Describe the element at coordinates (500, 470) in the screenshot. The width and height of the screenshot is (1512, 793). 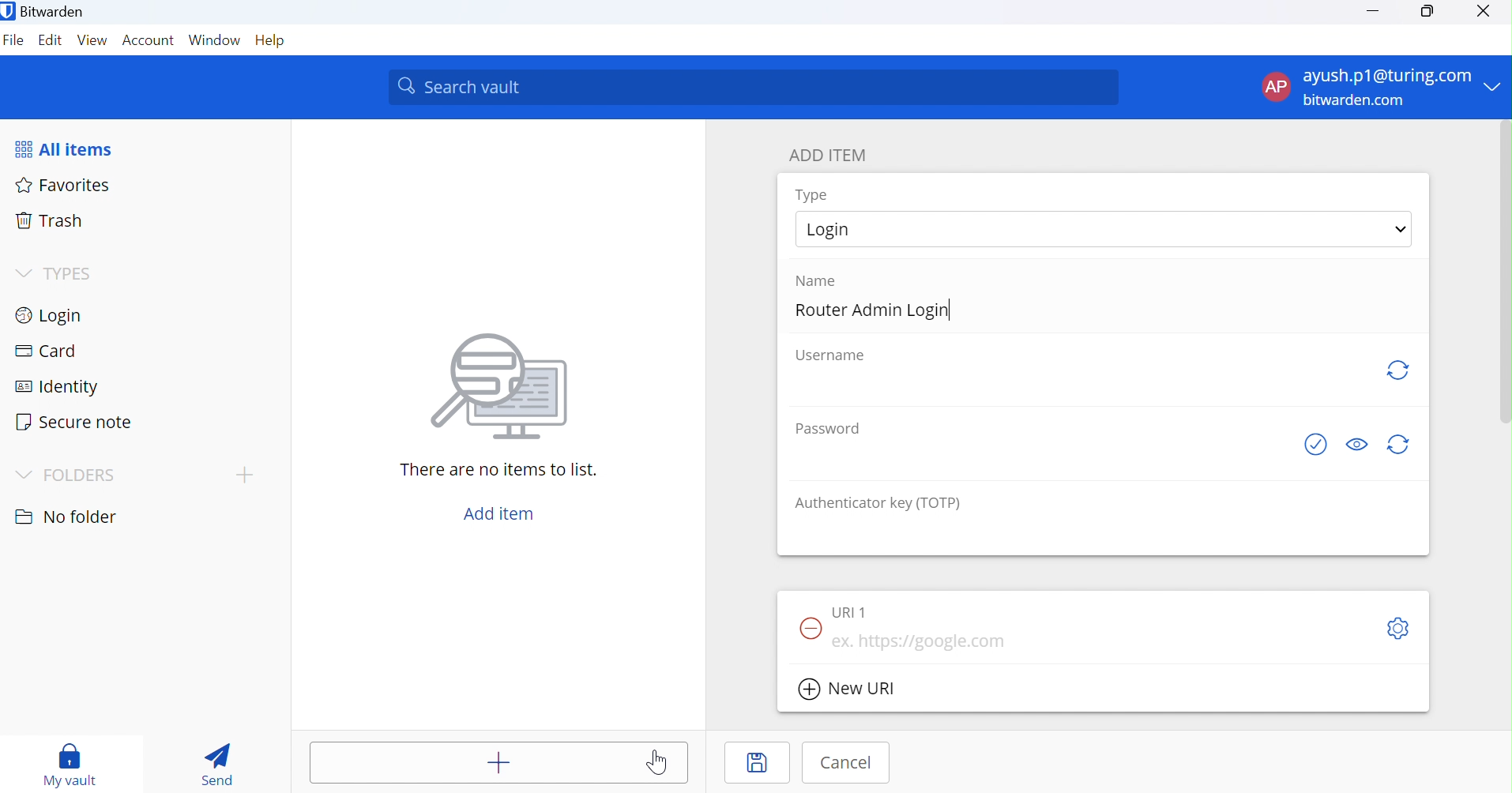
I see `There are no items to list.` at that location.